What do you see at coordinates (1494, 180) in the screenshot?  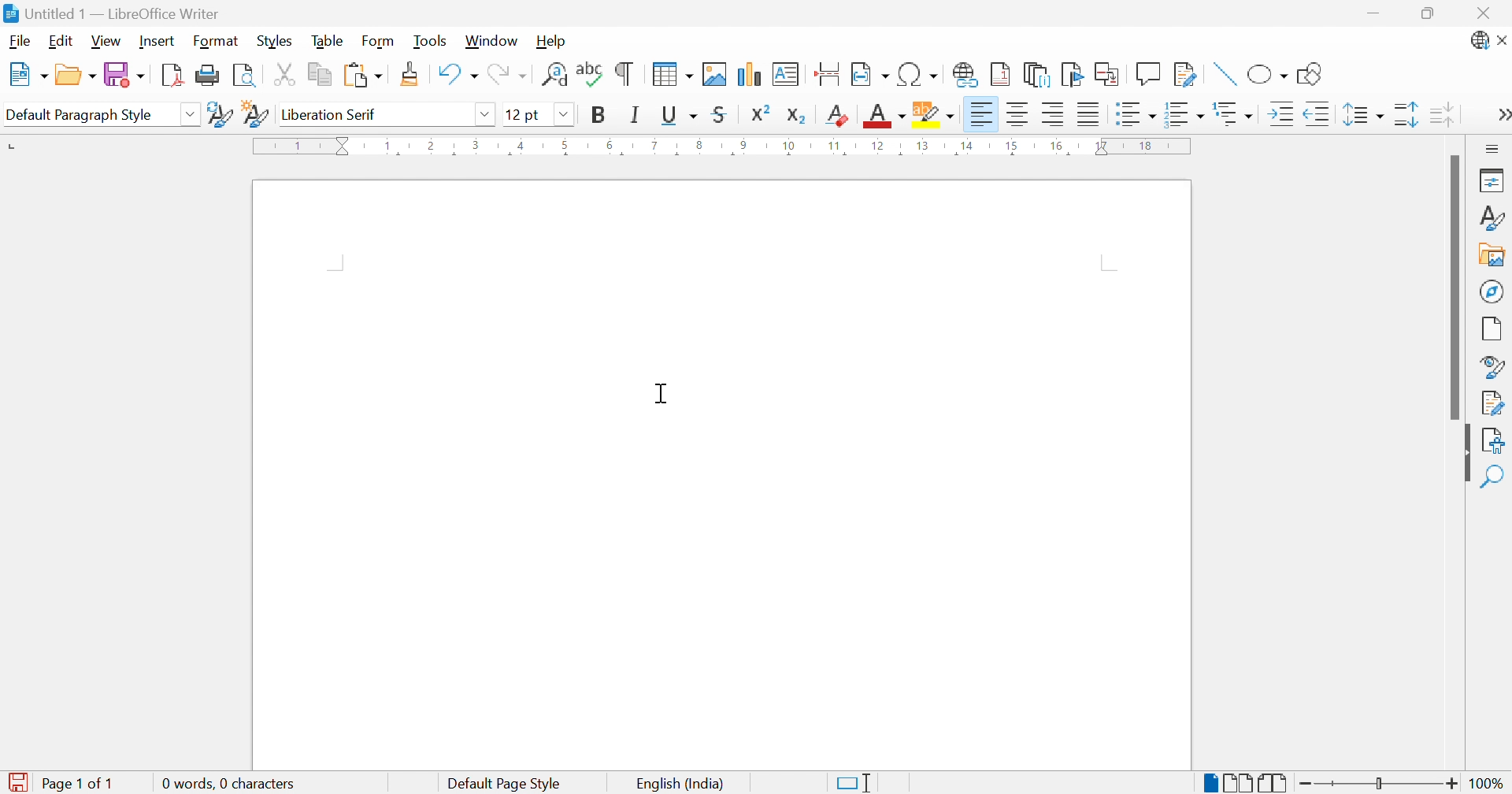 I see `Properties` at bounding box center [1494, 180].